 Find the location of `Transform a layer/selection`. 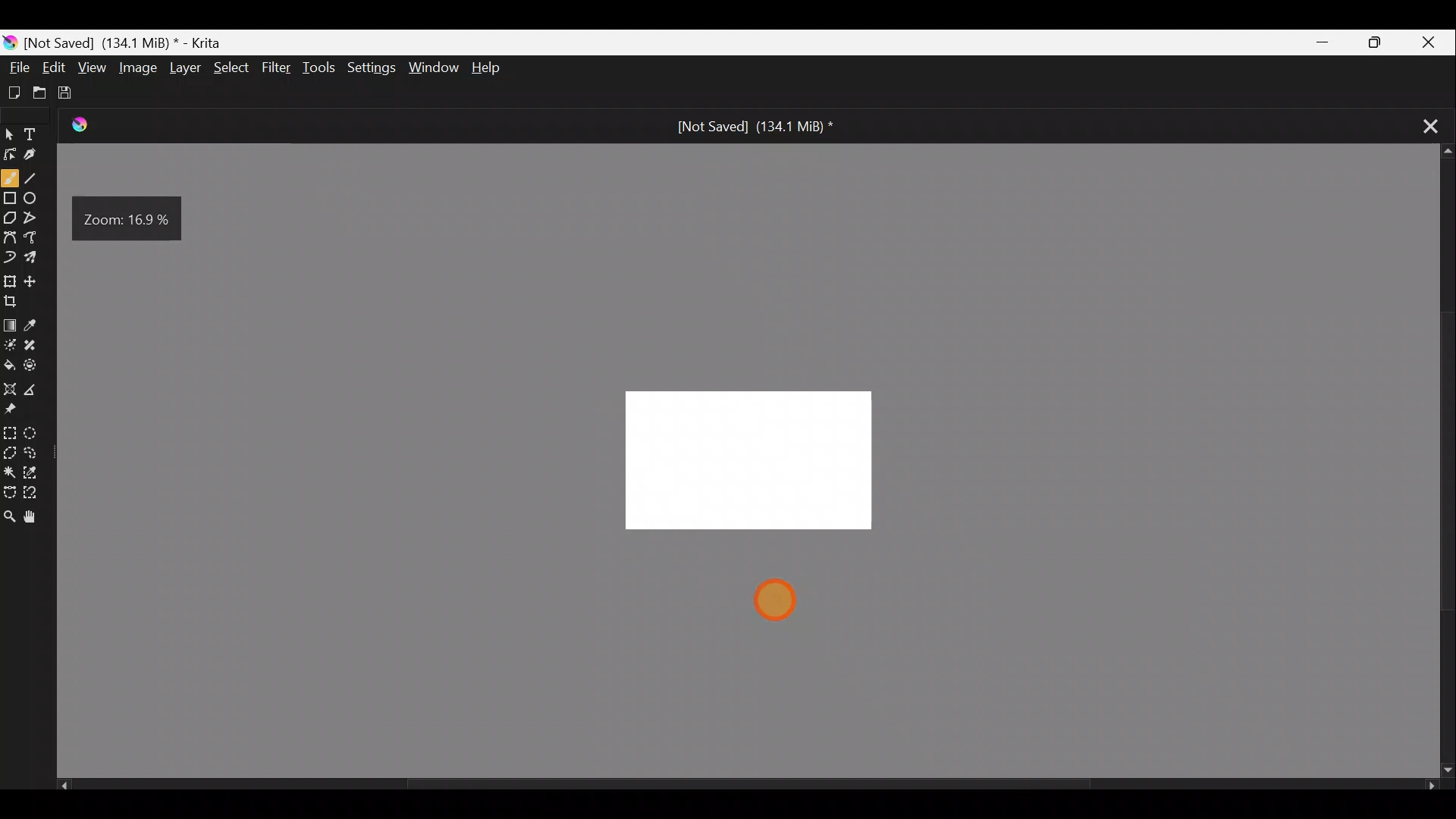

Transform a layer/selection is located at coordinates (10, 281).